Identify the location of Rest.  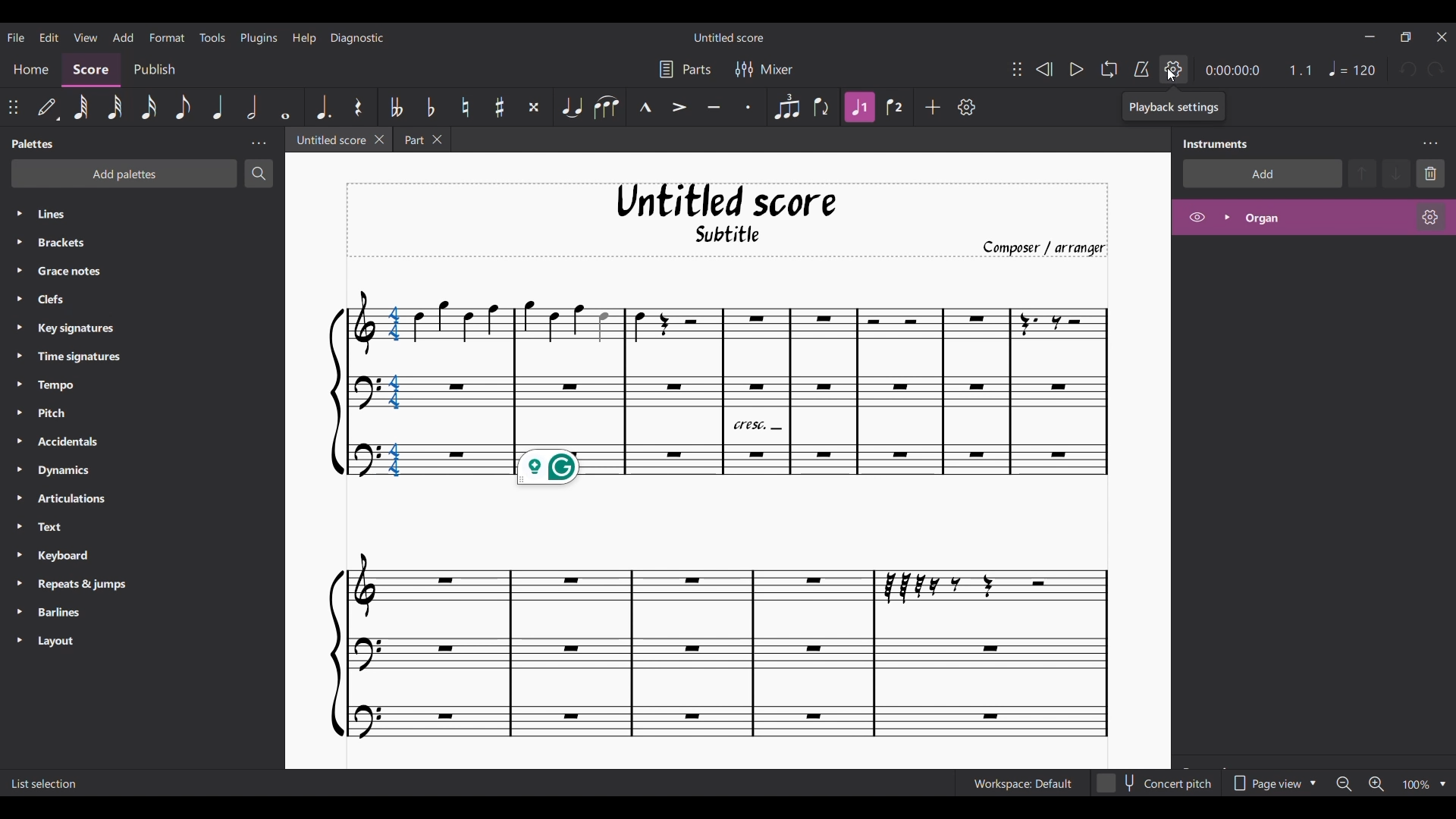
(357, 107).